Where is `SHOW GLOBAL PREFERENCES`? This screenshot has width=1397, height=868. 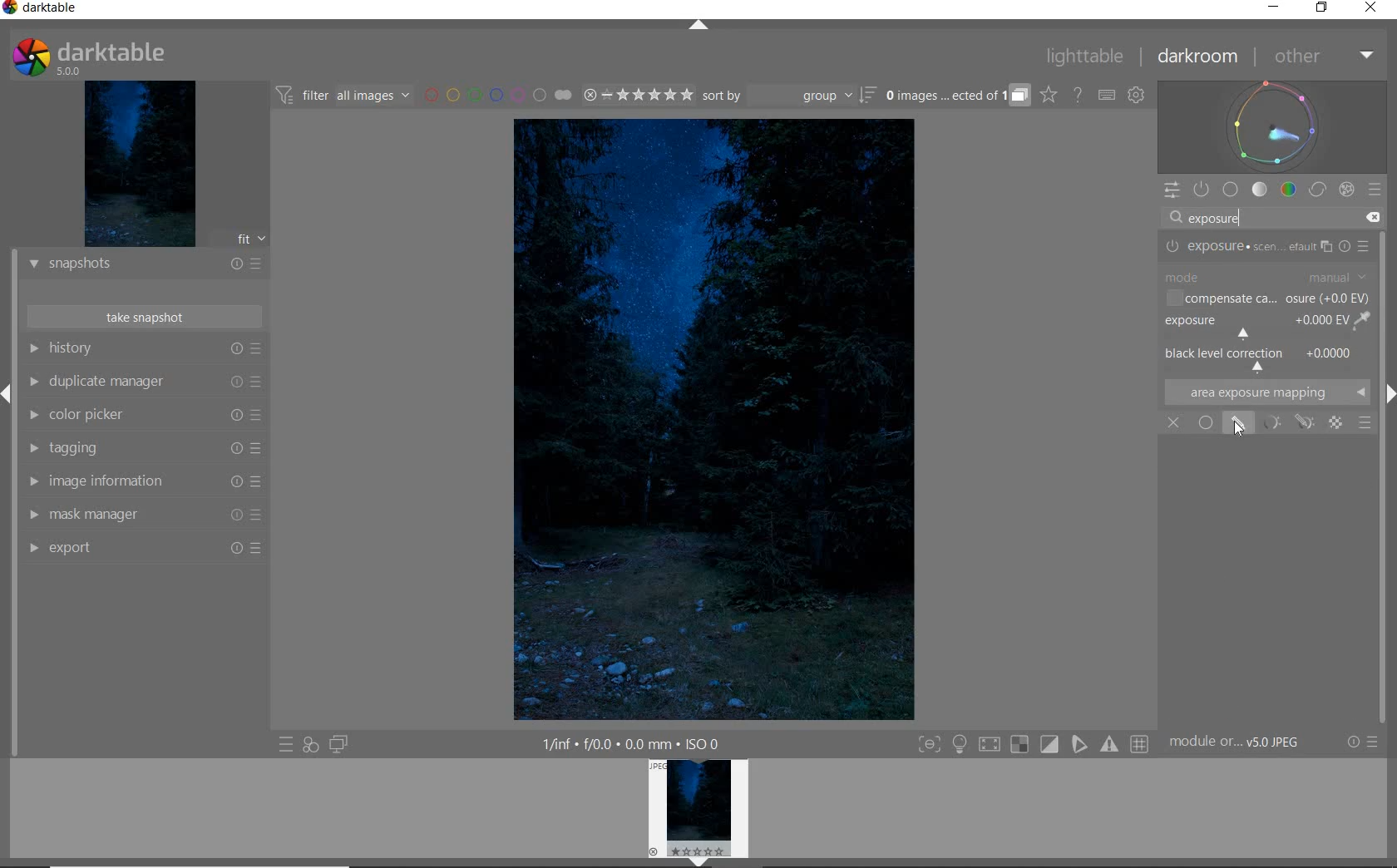 SHOW GLOBAL PREFERENCES is located at coordinates (1136, 95).